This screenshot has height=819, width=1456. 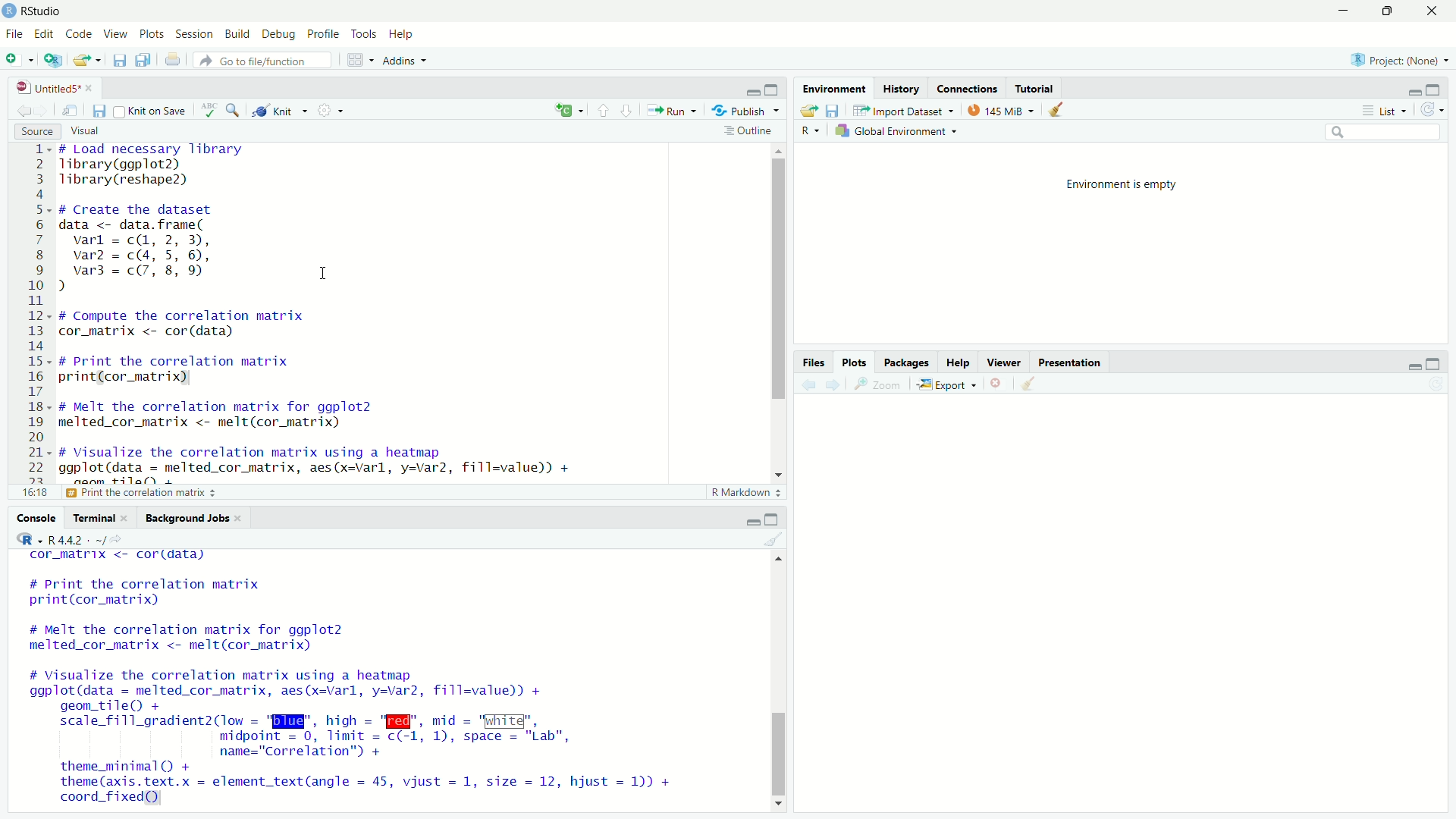 What do you see at coordinates (194, 35) in the screenshot?
I see `session` at bounding box center [194, 35].